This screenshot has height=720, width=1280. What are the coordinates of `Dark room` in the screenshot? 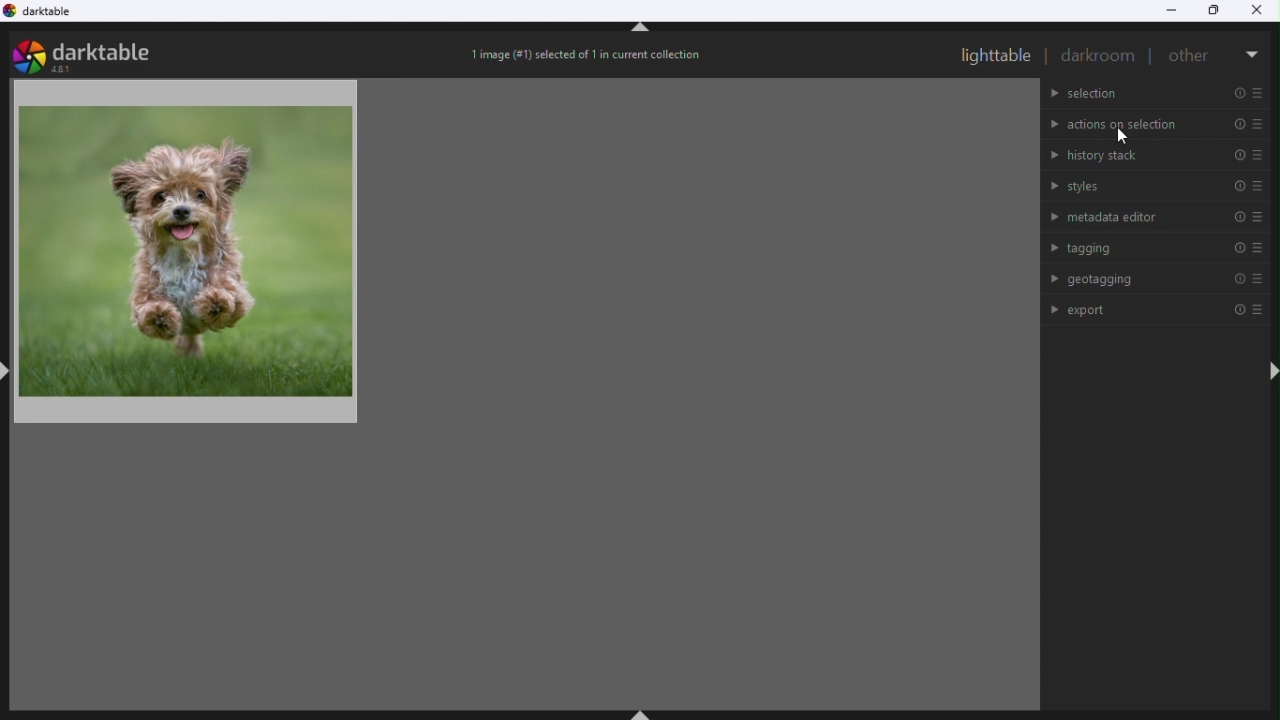 It's located at (1099, 56).